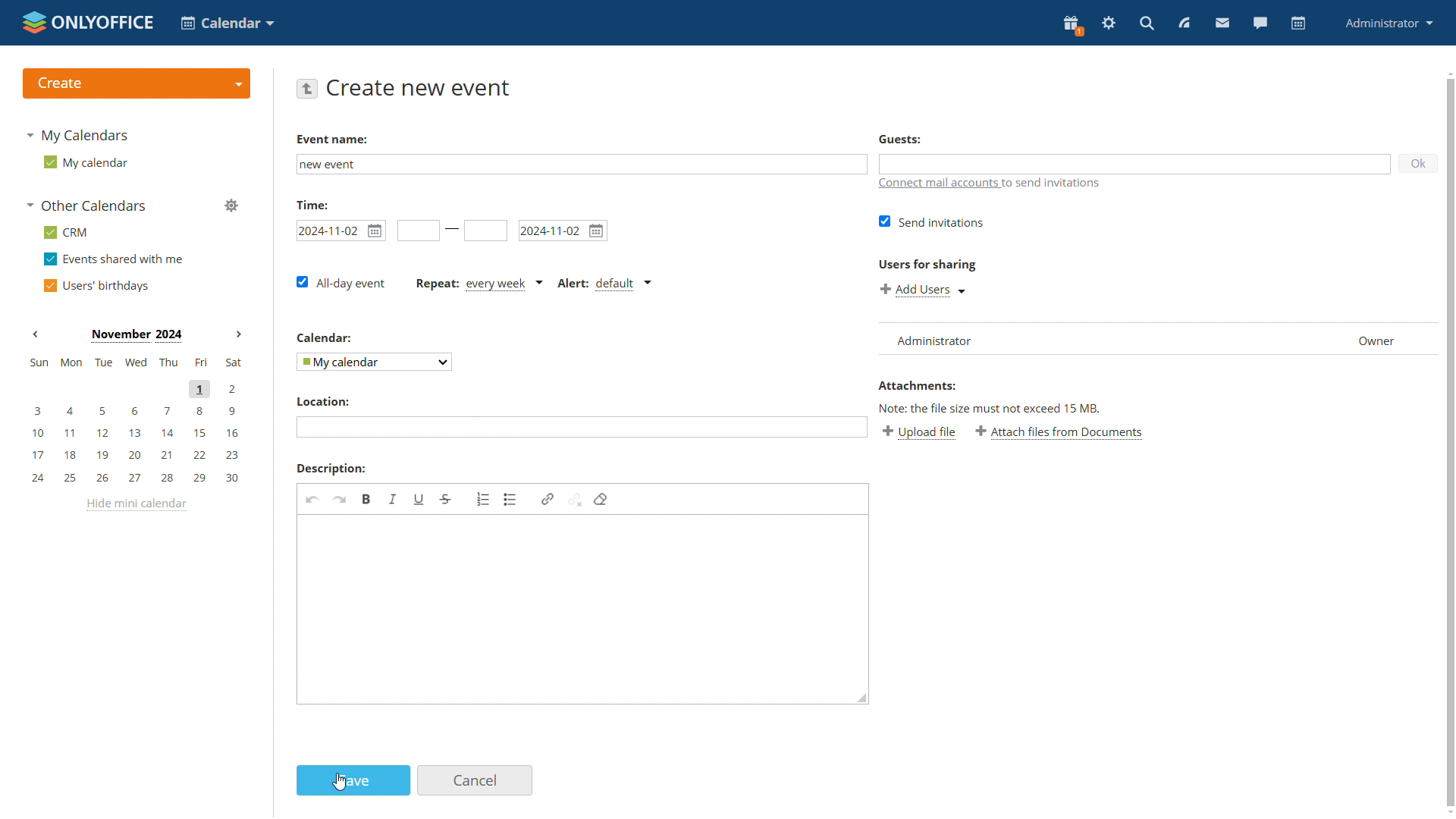  What do you see at coordinates (140, 505) in the screenshot?
I see `hide mini calendar` at bounding box center [140, 505].